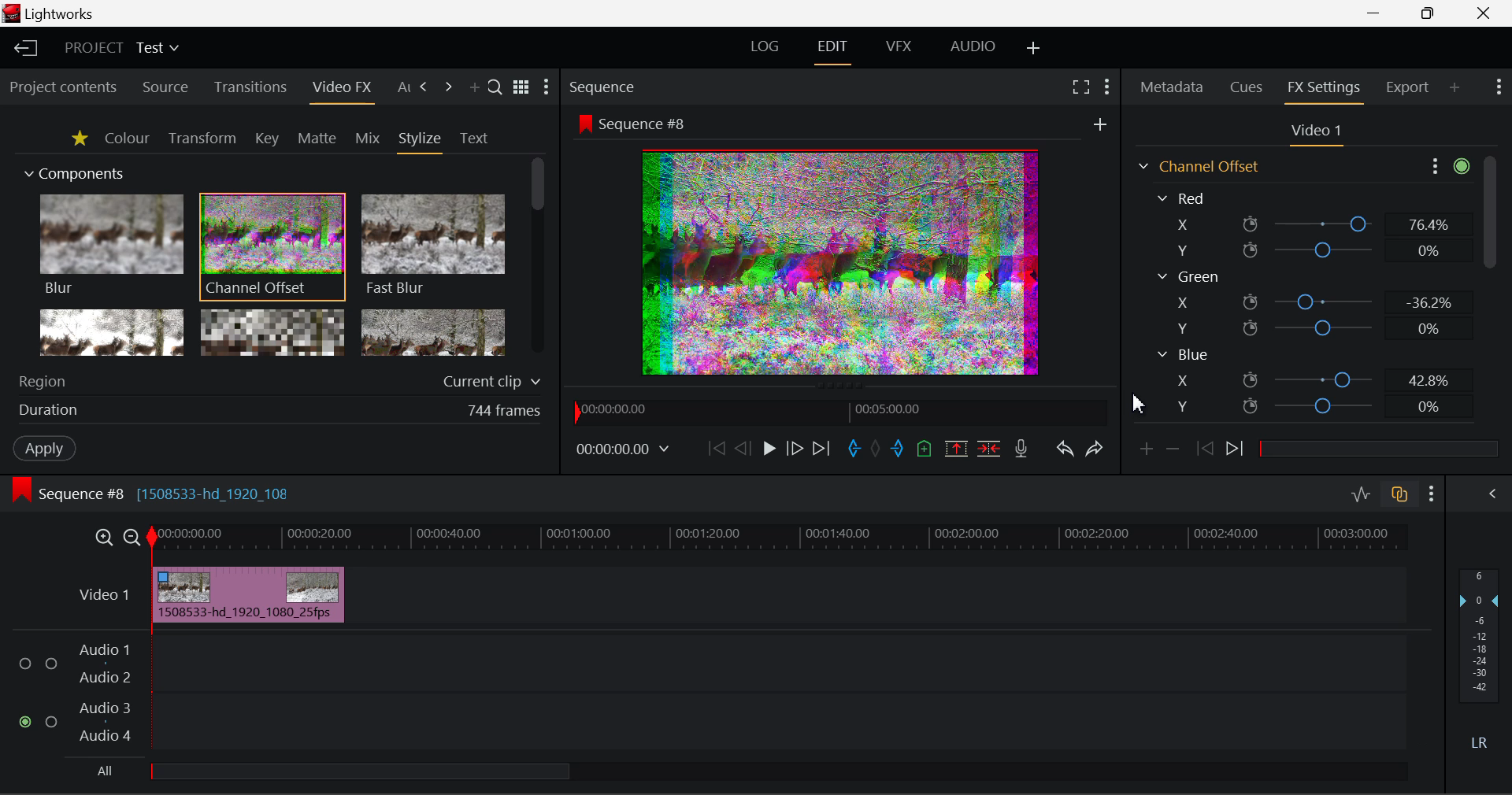 The height and width of the screenshot is (795, 1512). Describe the element at coordinates (1145, 453) in the screenshot. I see `Add keyframe` at that location.